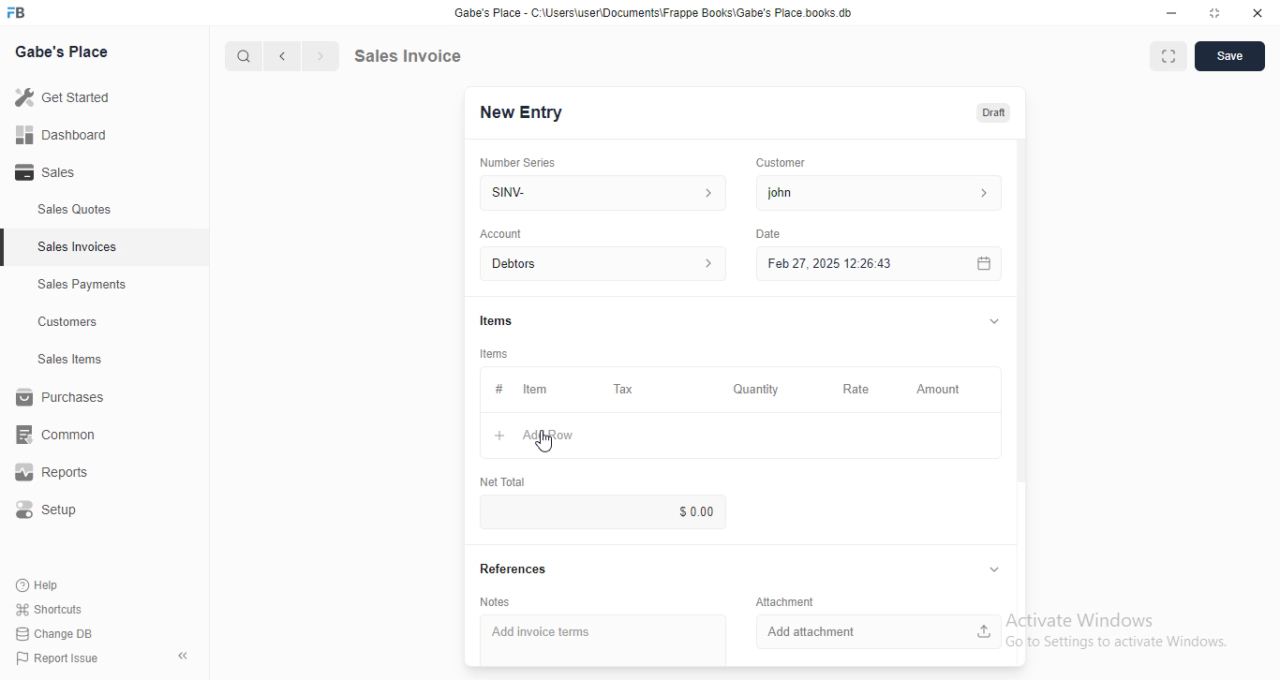  Describe the element at coordinates (451, 56) in the screenshot. I see `Sales Invoice` at that location.